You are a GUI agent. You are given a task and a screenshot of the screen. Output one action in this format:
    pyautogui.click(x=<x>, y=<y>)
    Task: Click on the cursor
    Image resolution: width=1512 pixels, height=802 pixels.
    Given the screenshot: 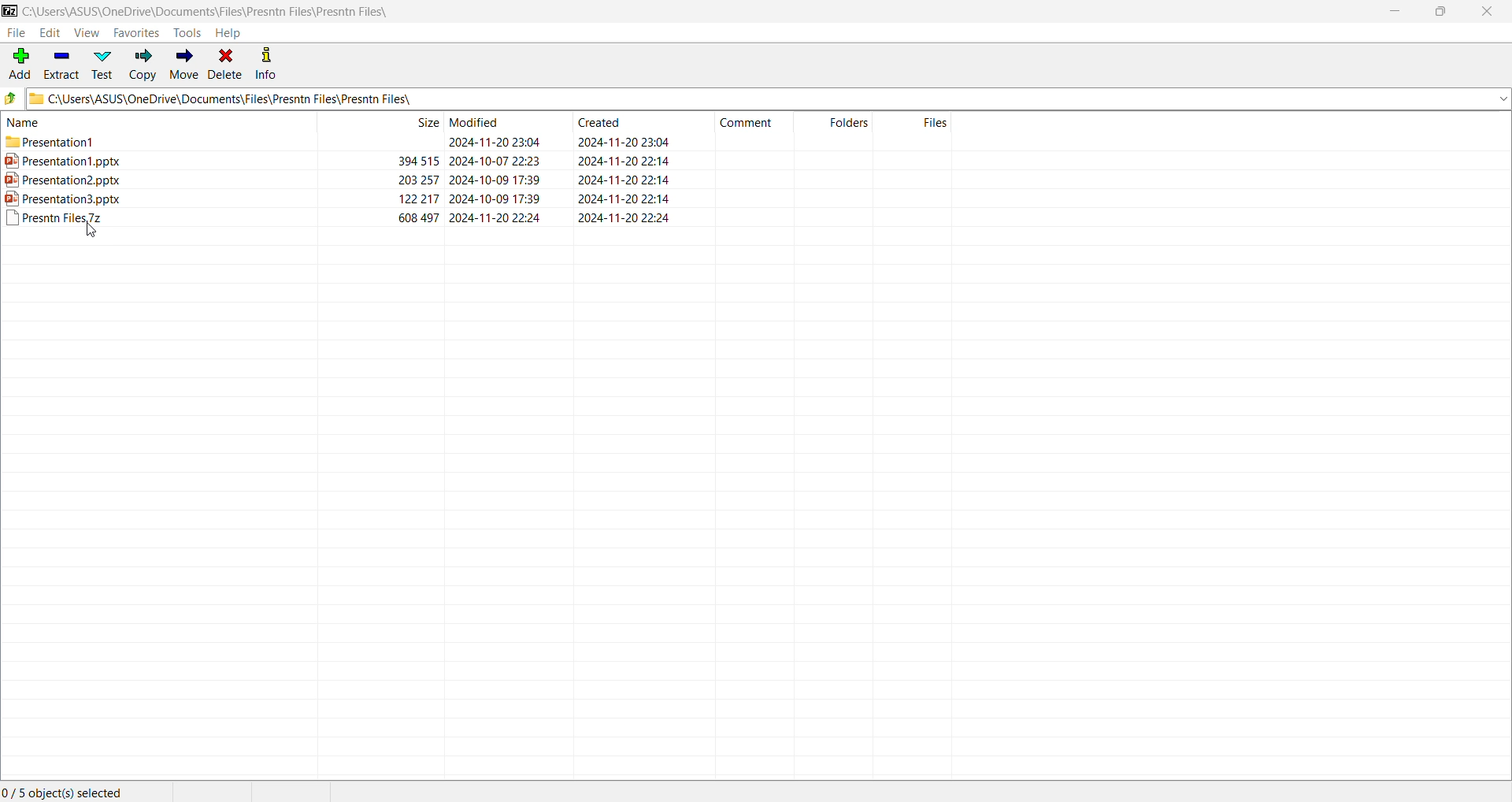 What is the action you would take?
    pyautogui.click(x=88, y=232)
    